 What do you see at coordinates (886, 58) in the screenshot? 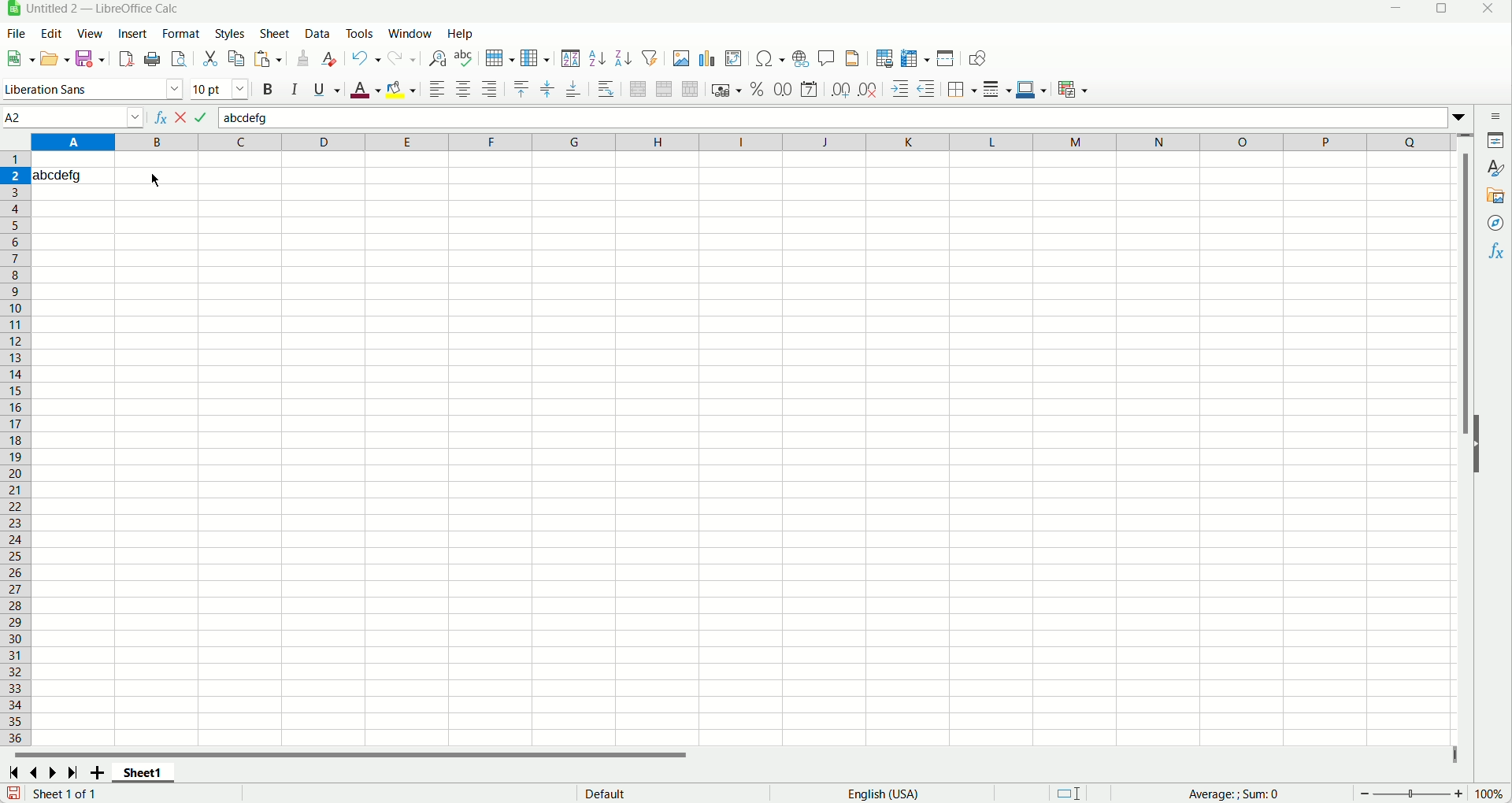
I see `define print area` at bounding box center [886, 58].